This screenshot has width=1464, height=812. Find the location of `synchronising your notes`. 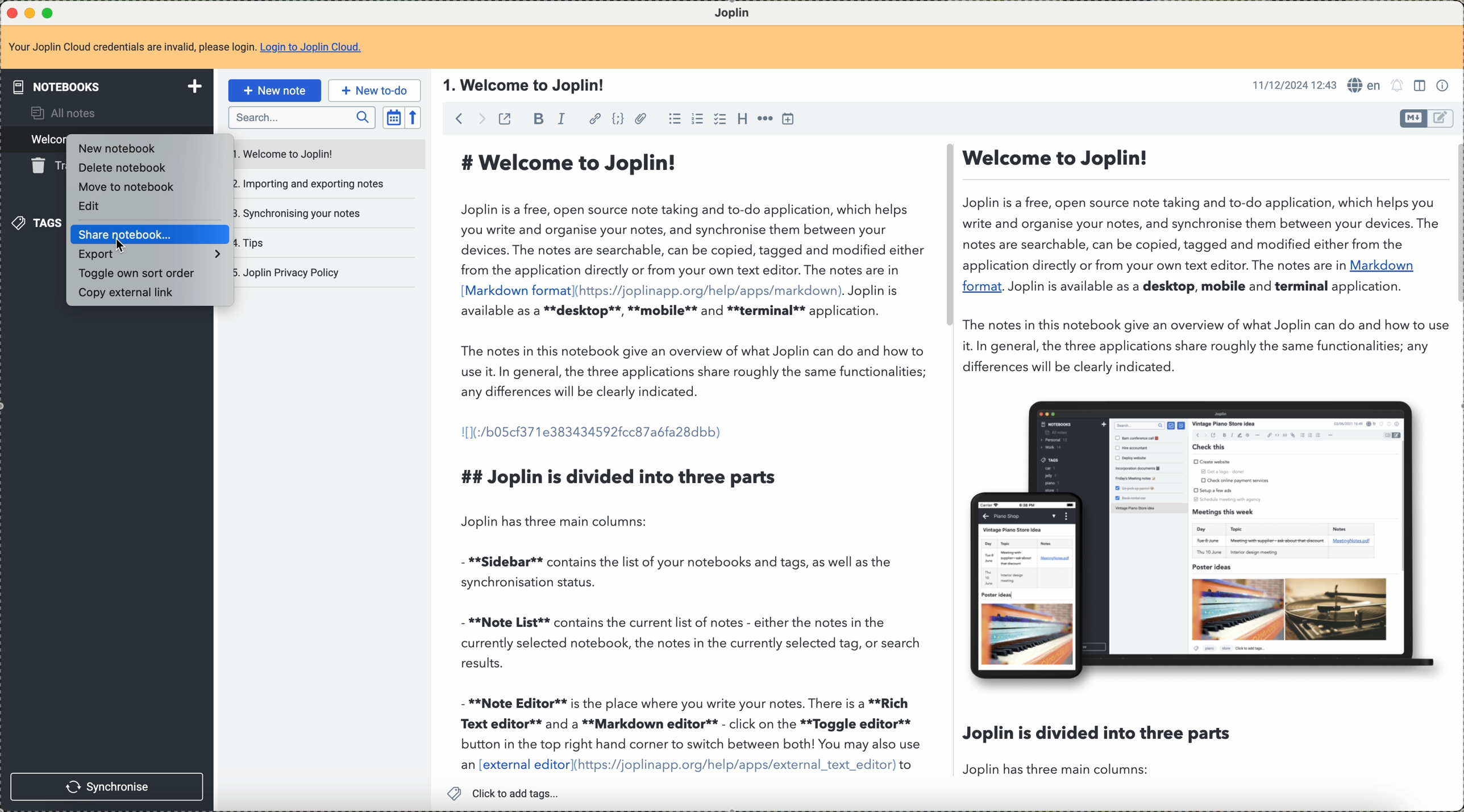

synchronising your notes is located at coordinates (304, 213).